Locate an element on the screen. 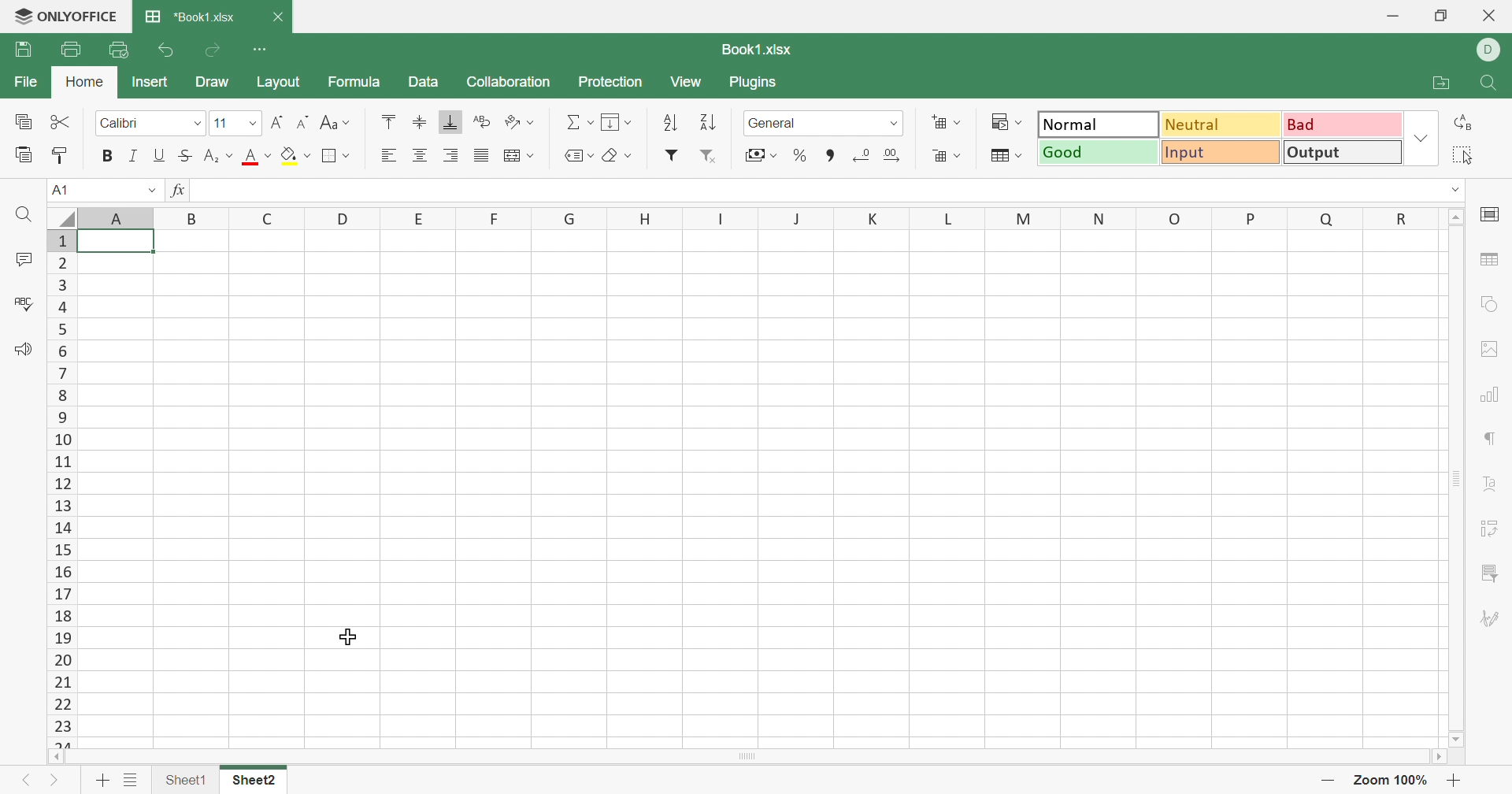  D is located at coordinates (1487, 52).